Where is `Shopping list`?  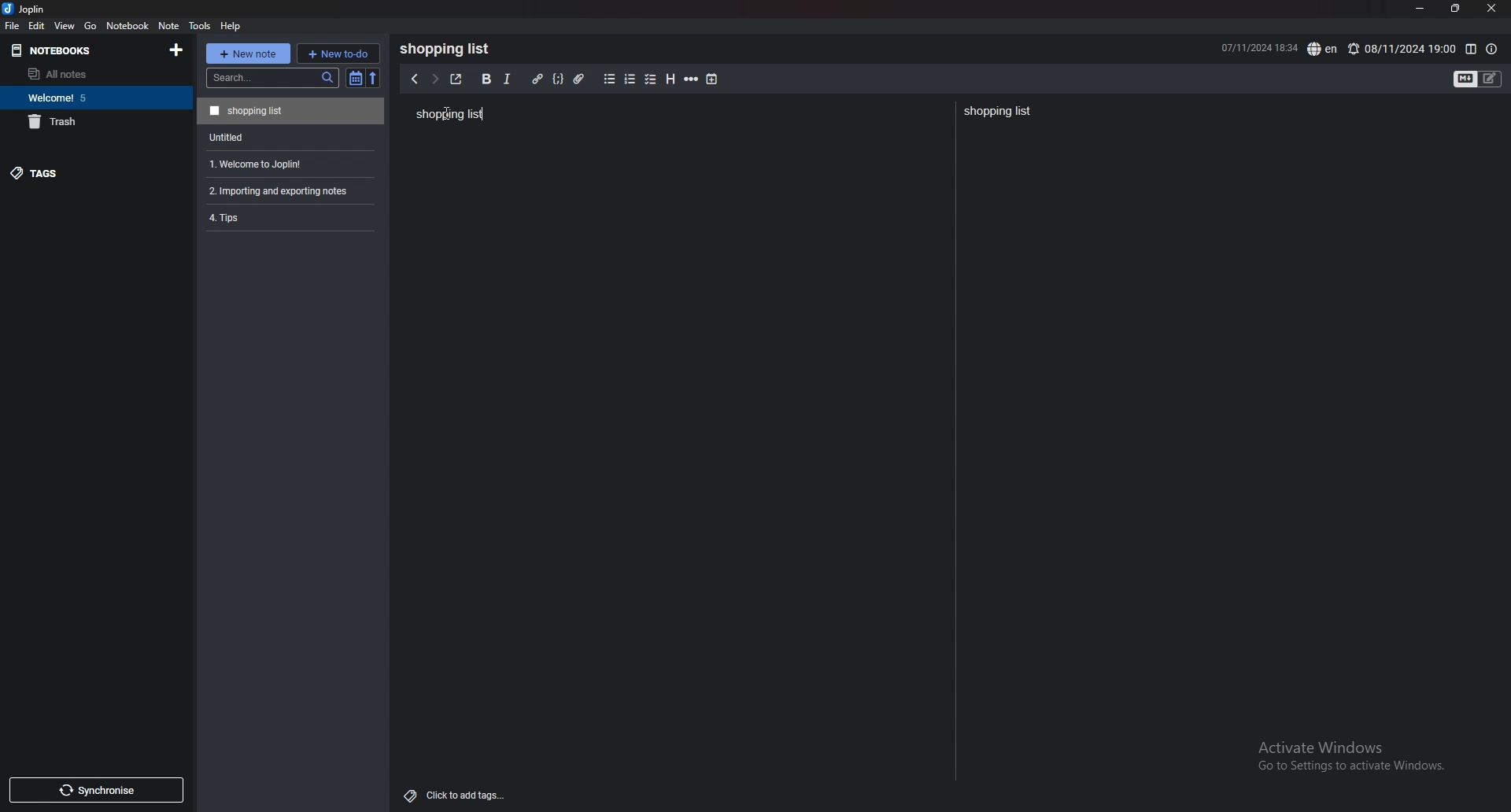 Shopping list is located at coordinates (449, 49).